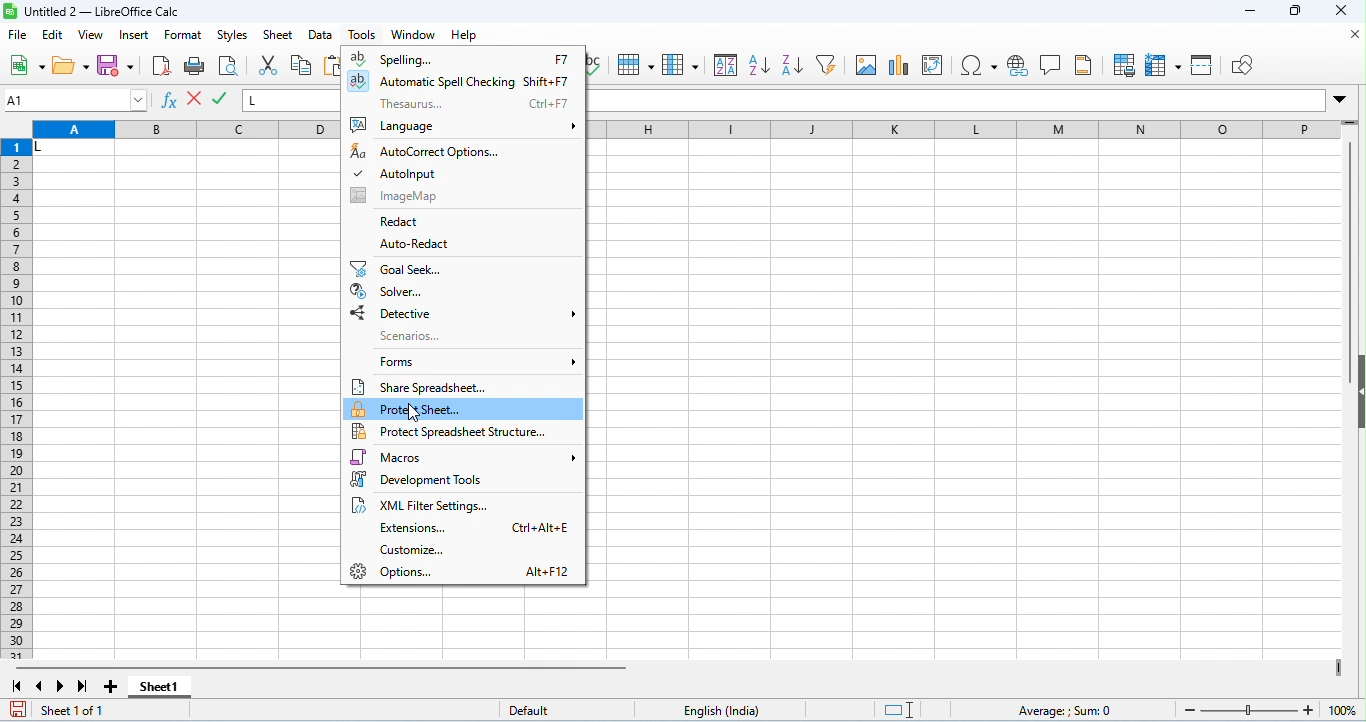  I want to click on protect spreadsheet structure, so click(457, 432).